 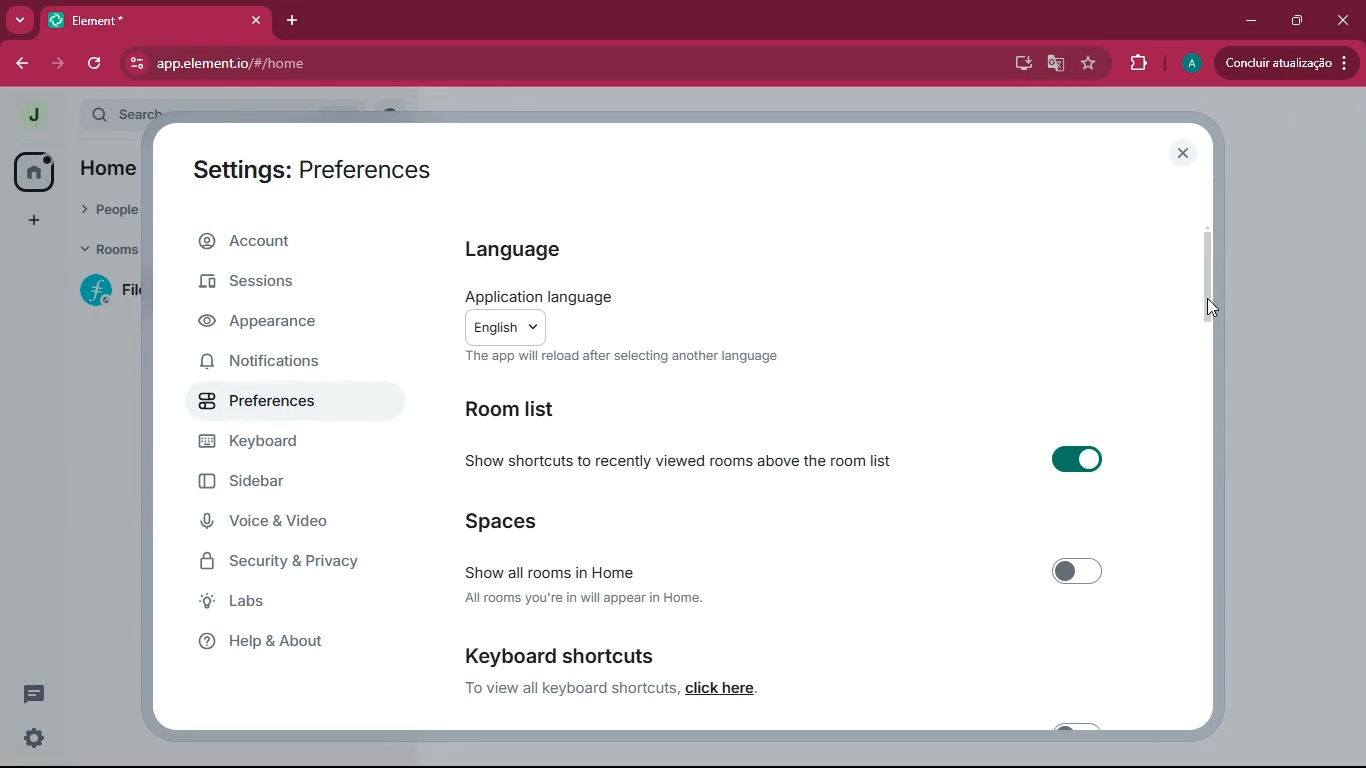 I want to click on quick settings, so click(x=35, y=737).